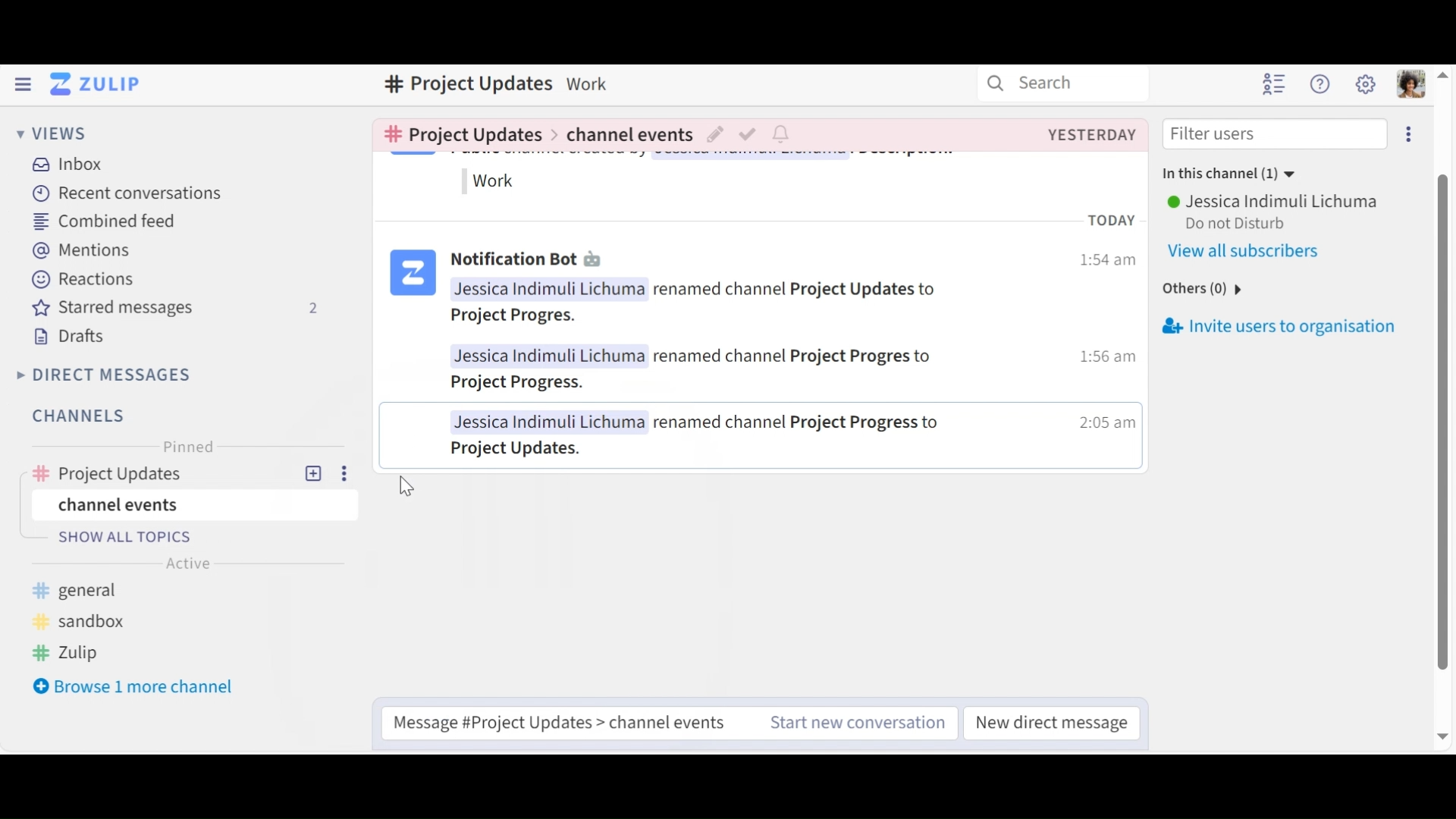  What do you see at coordinates (190, 564) in the screenshot?
I see `active` at bounding box center [190, 564].